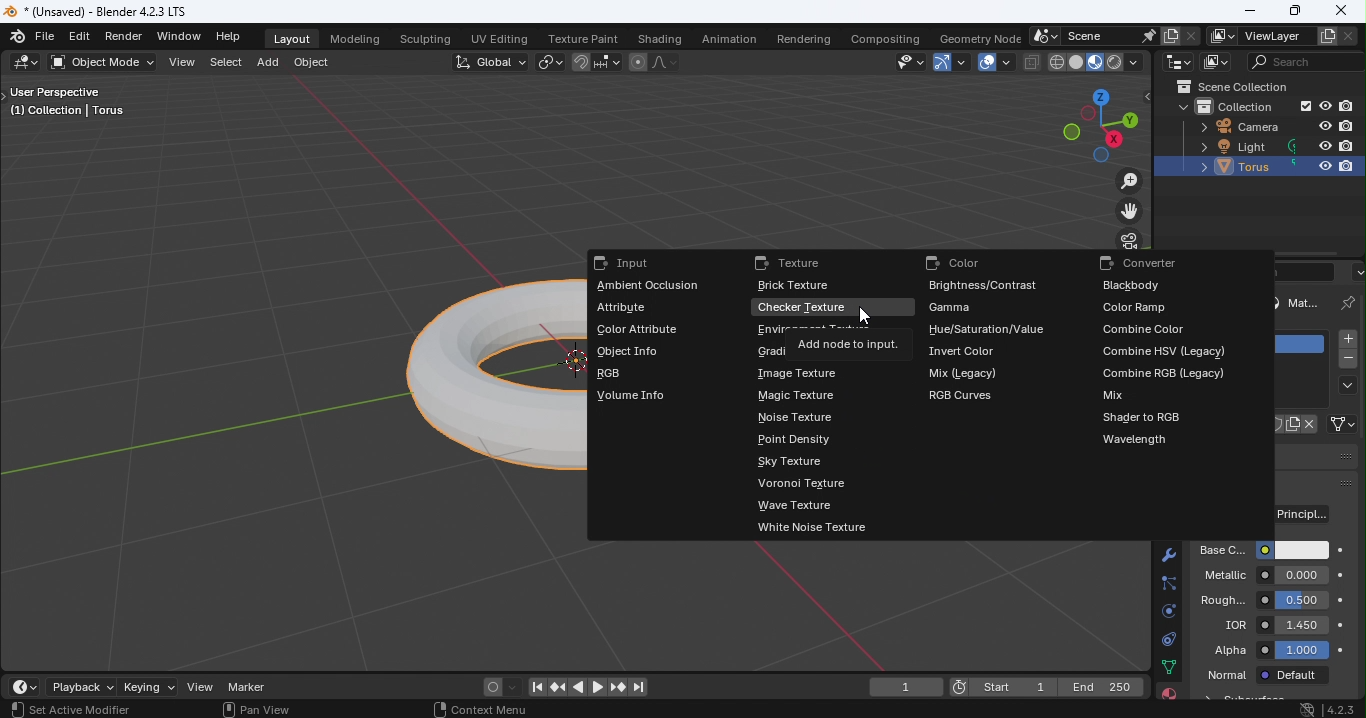 The width and height of the screenshot is (1366, 718). Describe the element at coordinates (184, 62) in the screenshot. I see `View` at that location.